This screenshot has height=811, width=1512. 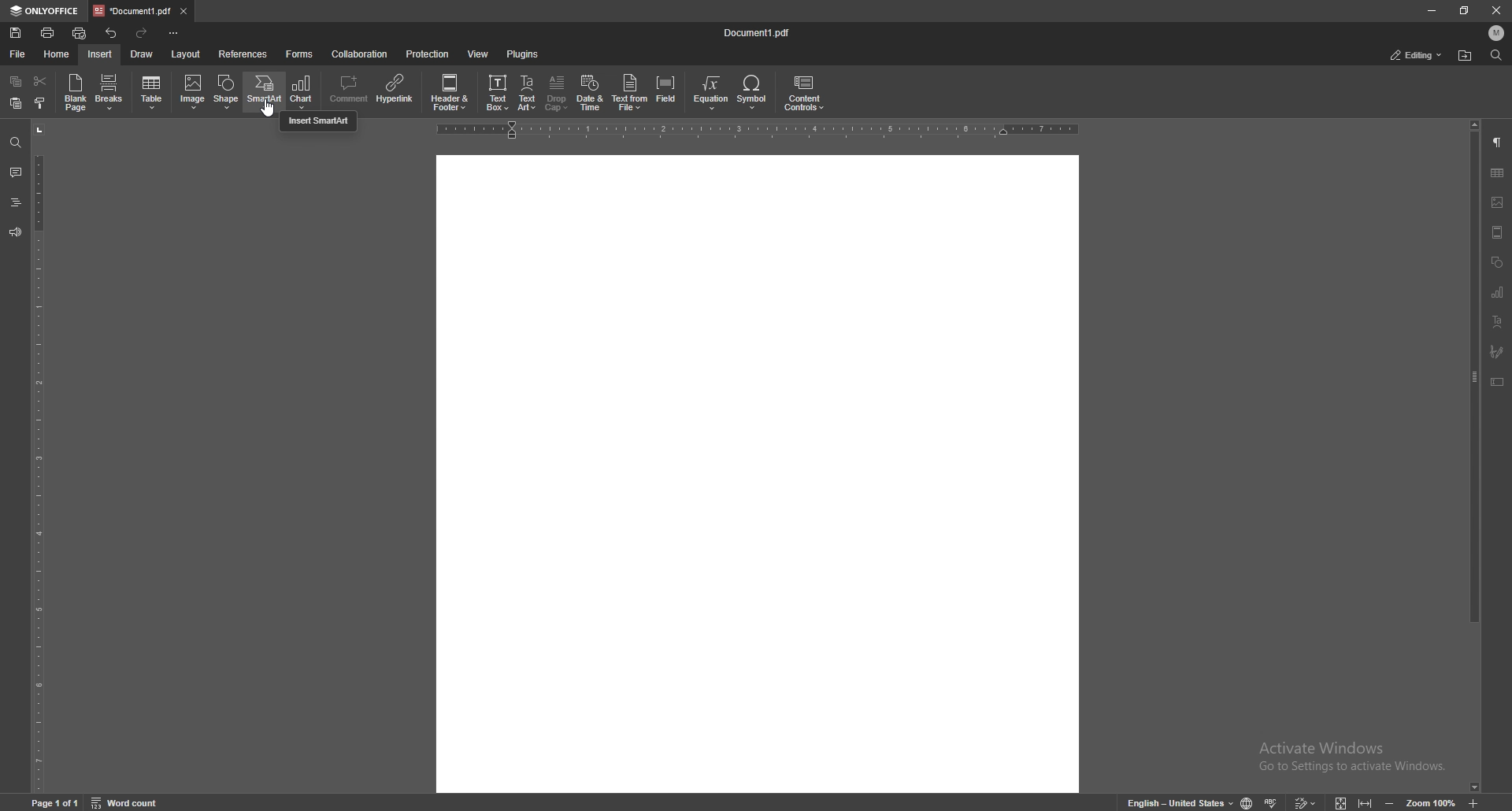 I want to click on comment, so click(x=350, y=91).